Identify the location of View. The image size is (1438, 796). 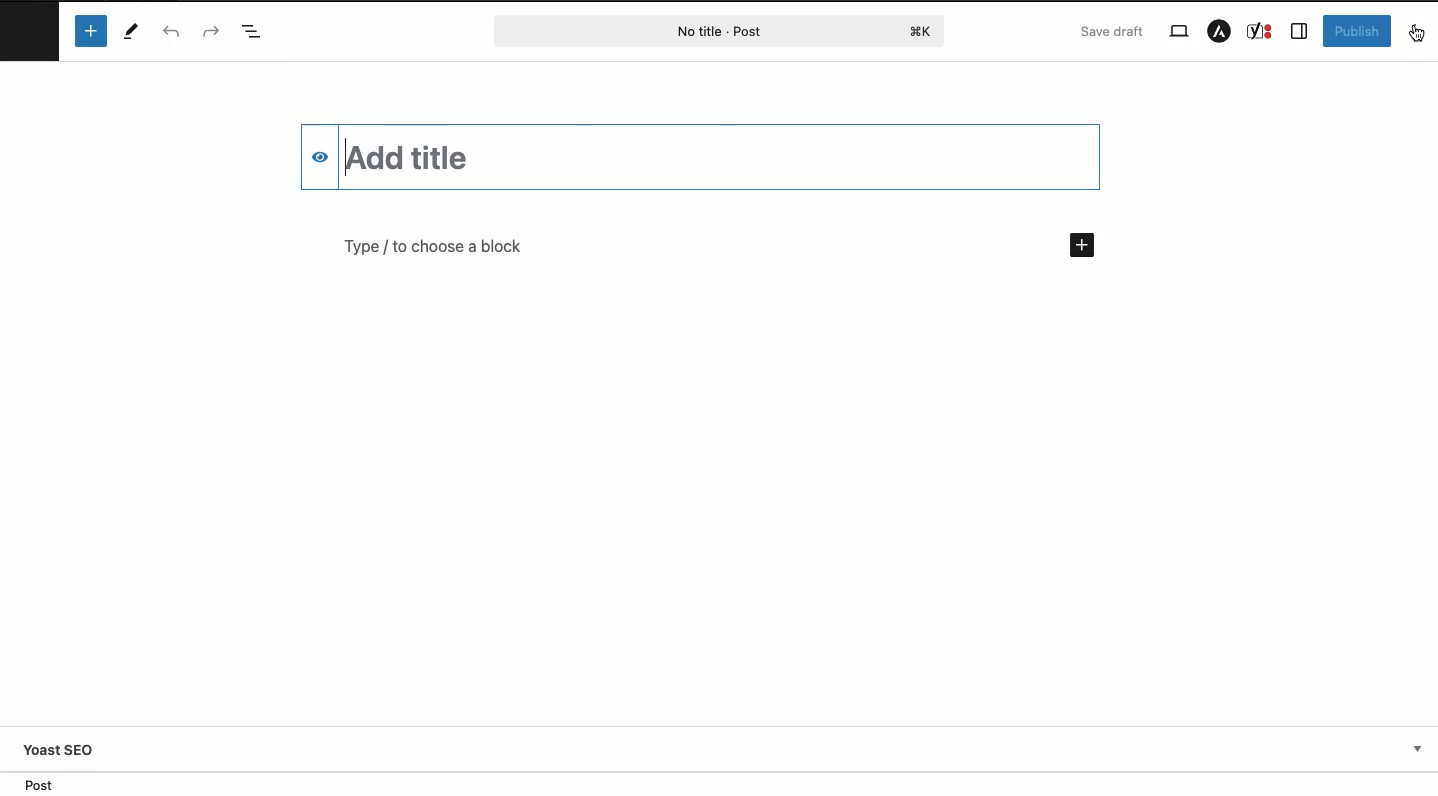
(1177, 32).